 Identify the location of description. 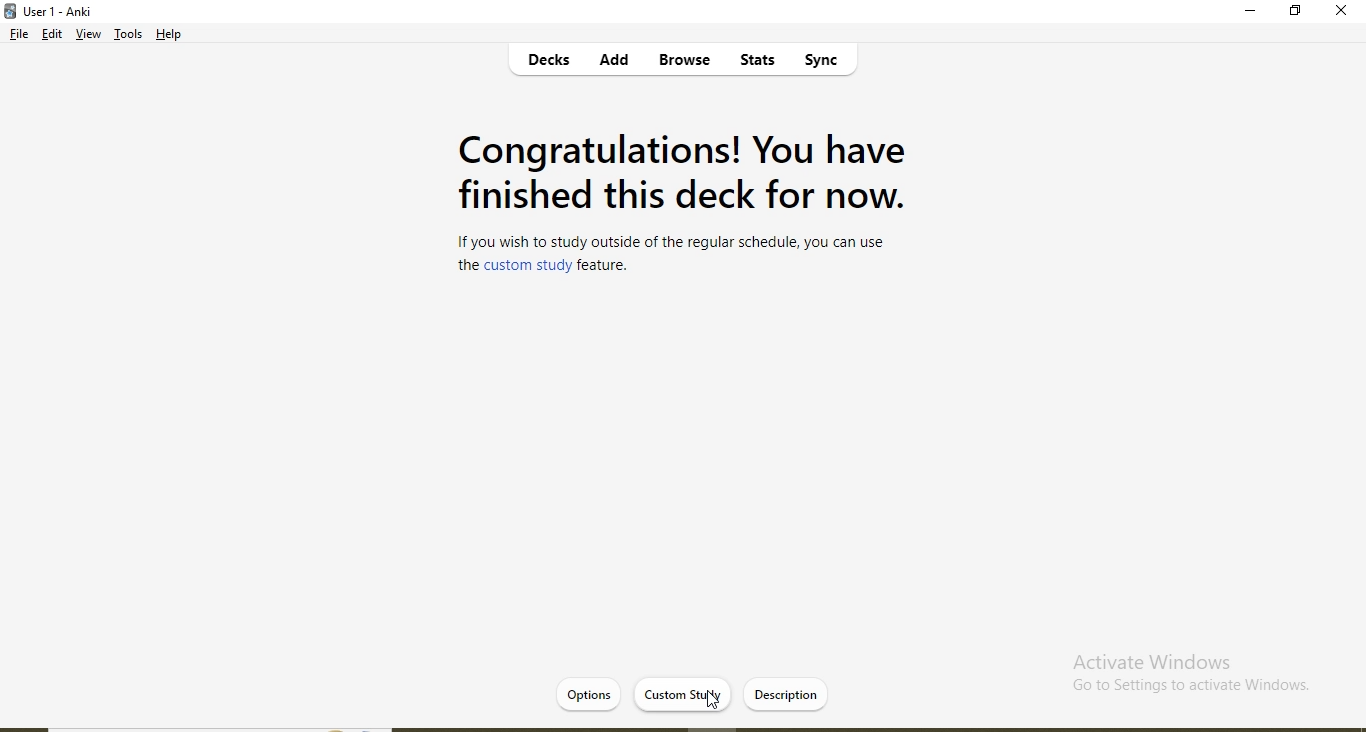
(786, 696).